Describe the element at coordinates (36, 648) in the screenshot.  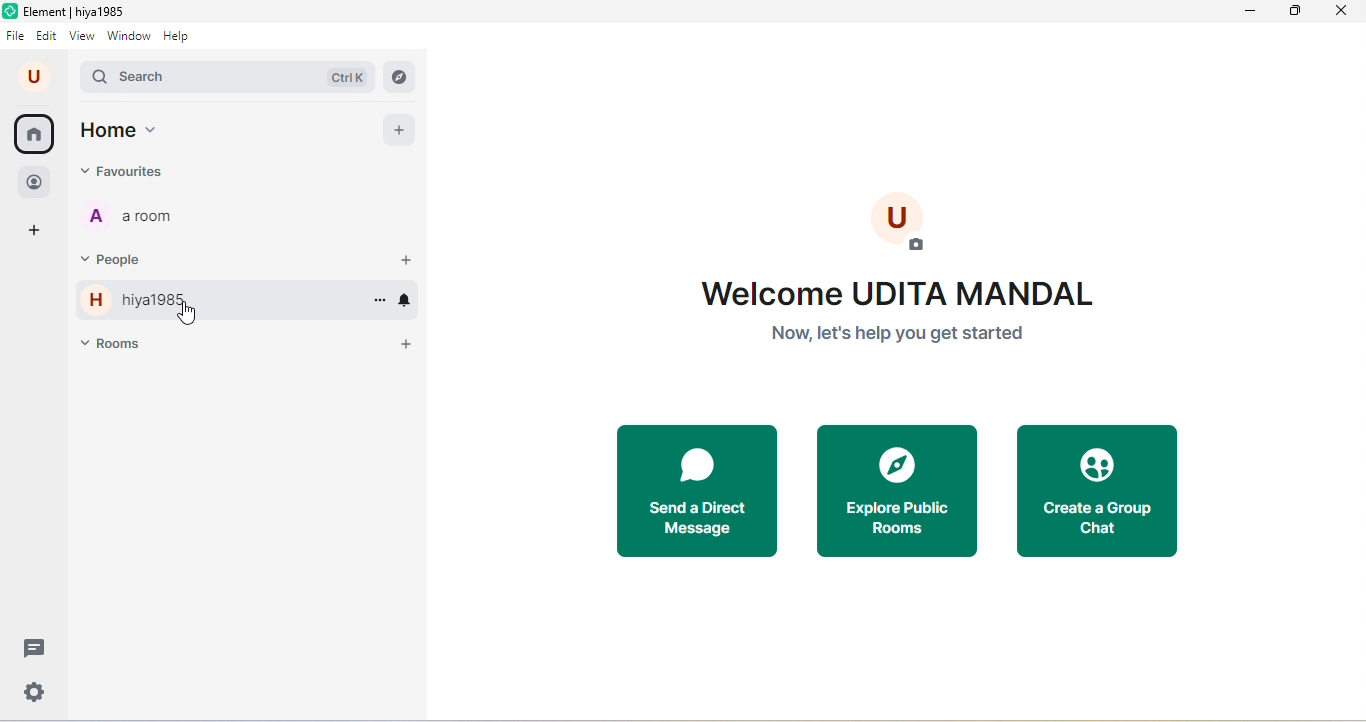
I see `threads` at that location.